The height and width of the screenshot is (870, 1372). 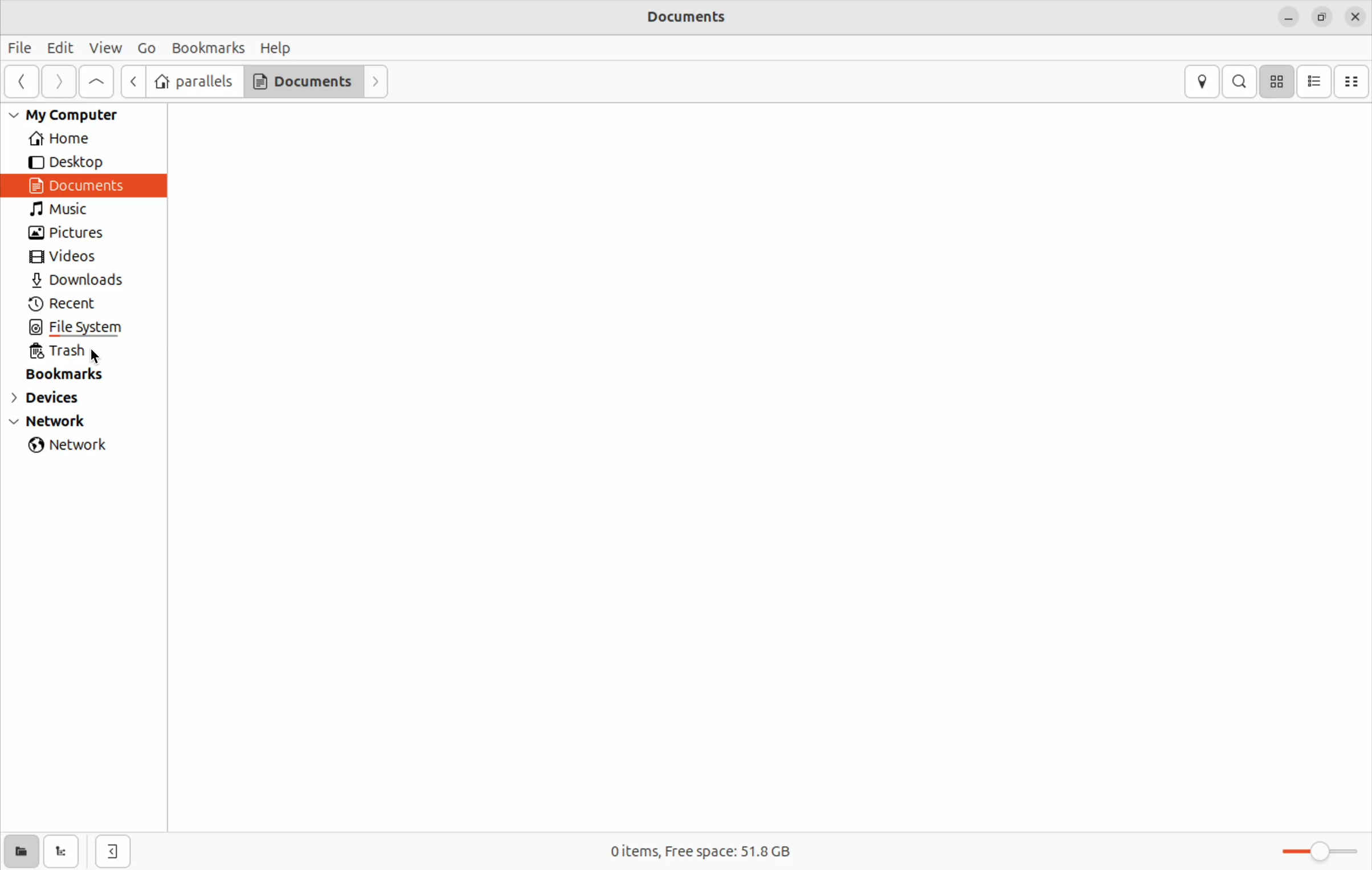 I want to click on show tree view, so click(x=64, y=852).